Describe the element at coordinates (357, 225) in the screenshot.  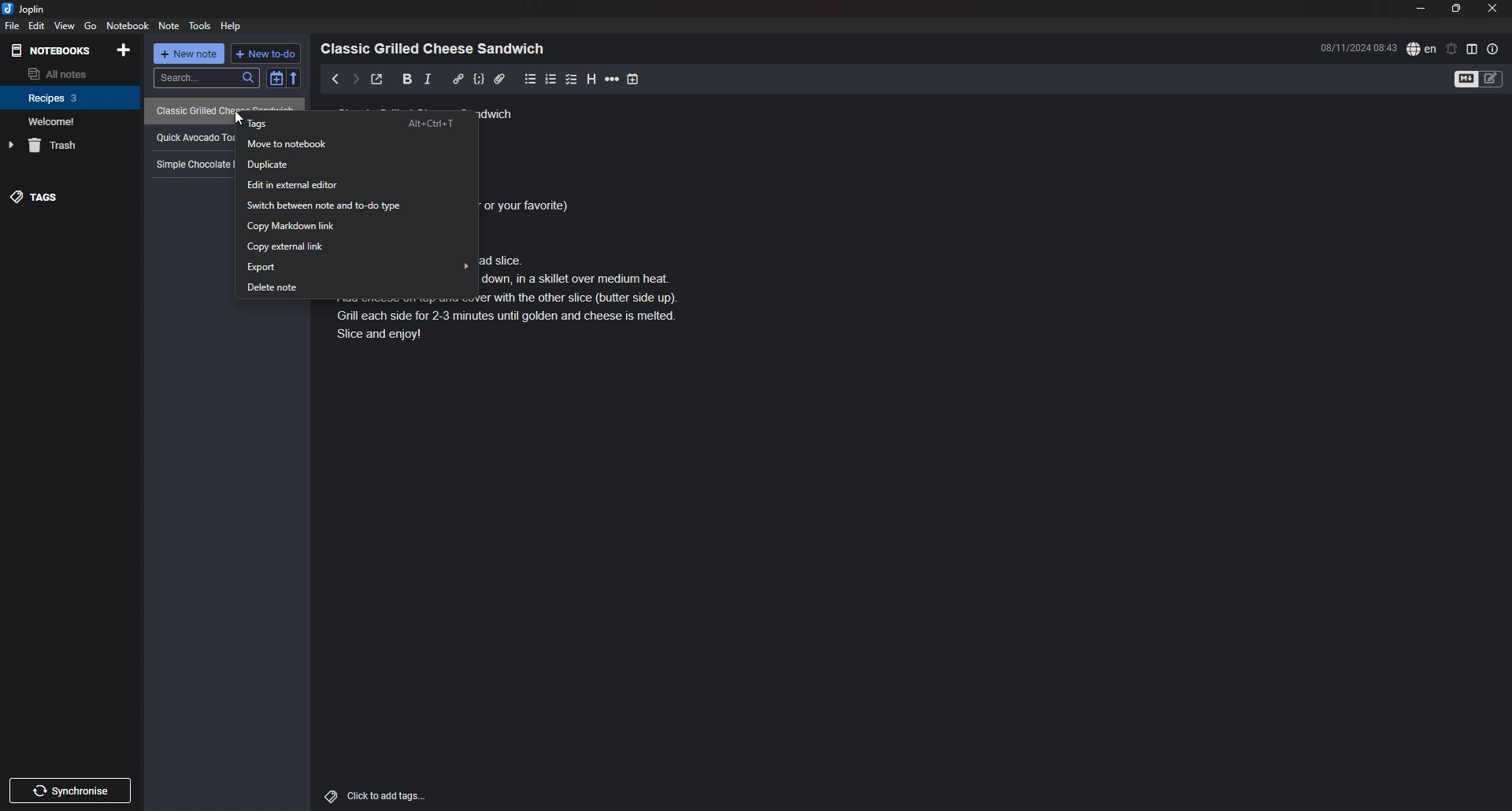
I see `copy markdown link` at that location.